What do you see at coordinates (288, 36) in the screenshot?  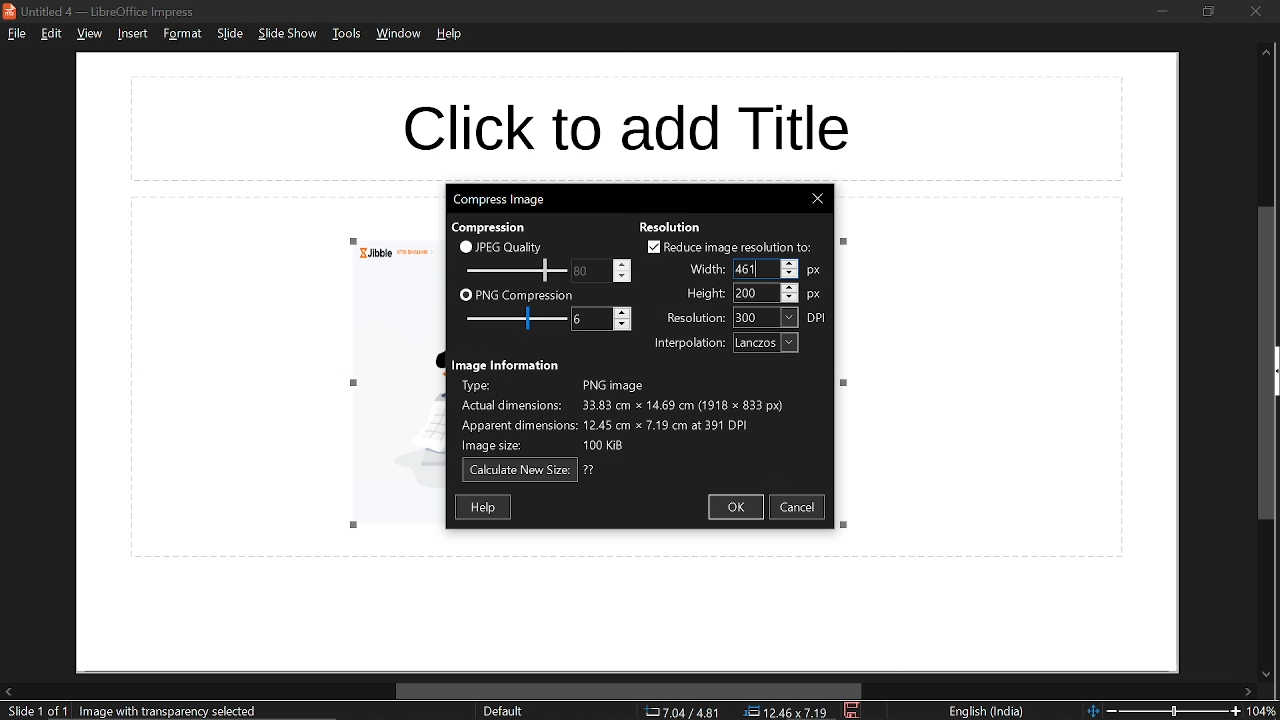 I see `slide show` at bounding box center [288, 36].